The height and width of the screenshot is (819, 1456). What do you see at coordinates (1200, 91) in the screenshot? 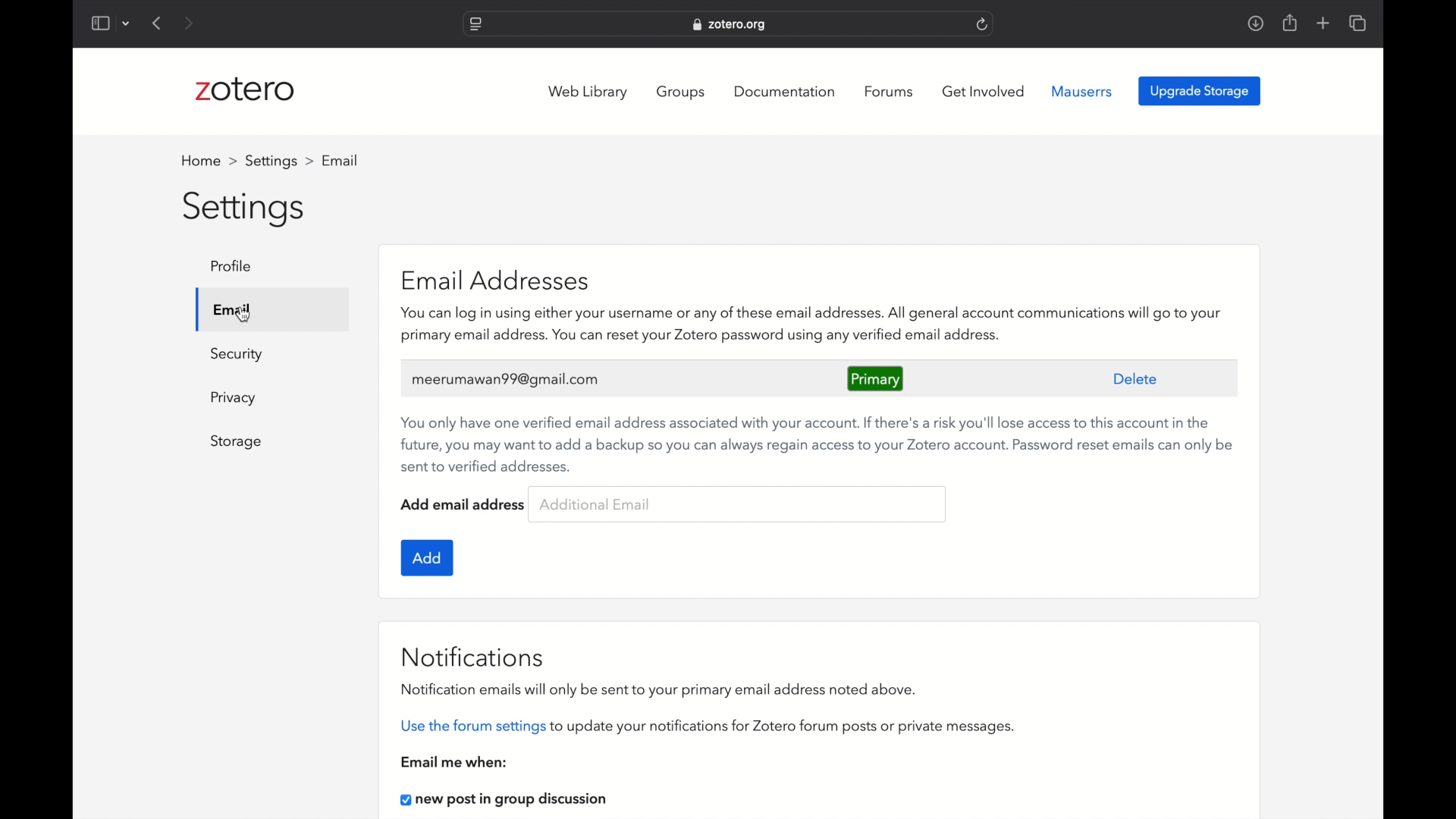
I see `upgrade storage` at bounding box center [1200, 91].